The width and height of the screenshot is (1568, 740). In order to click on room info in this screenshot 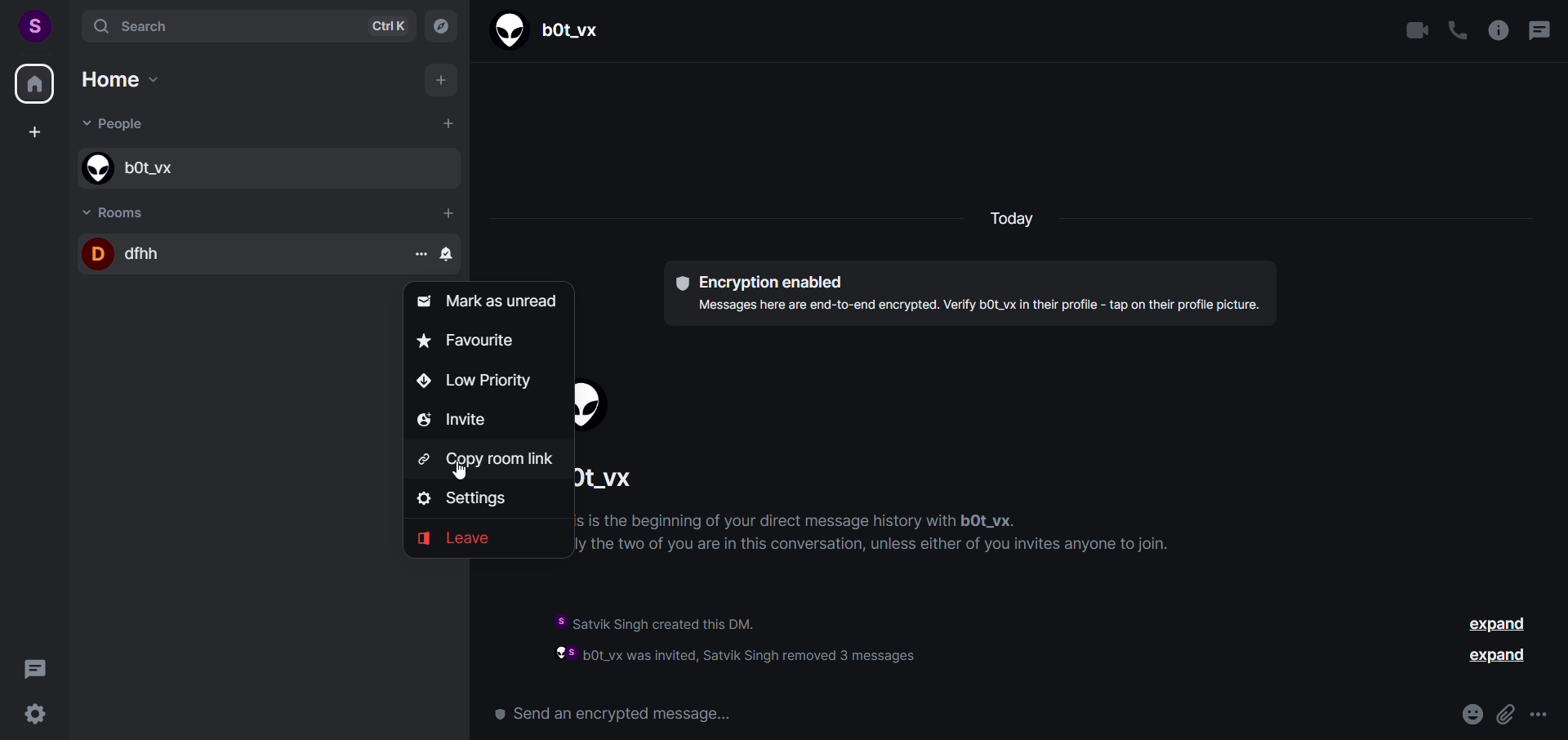, I will do `click(1496, 30)`.